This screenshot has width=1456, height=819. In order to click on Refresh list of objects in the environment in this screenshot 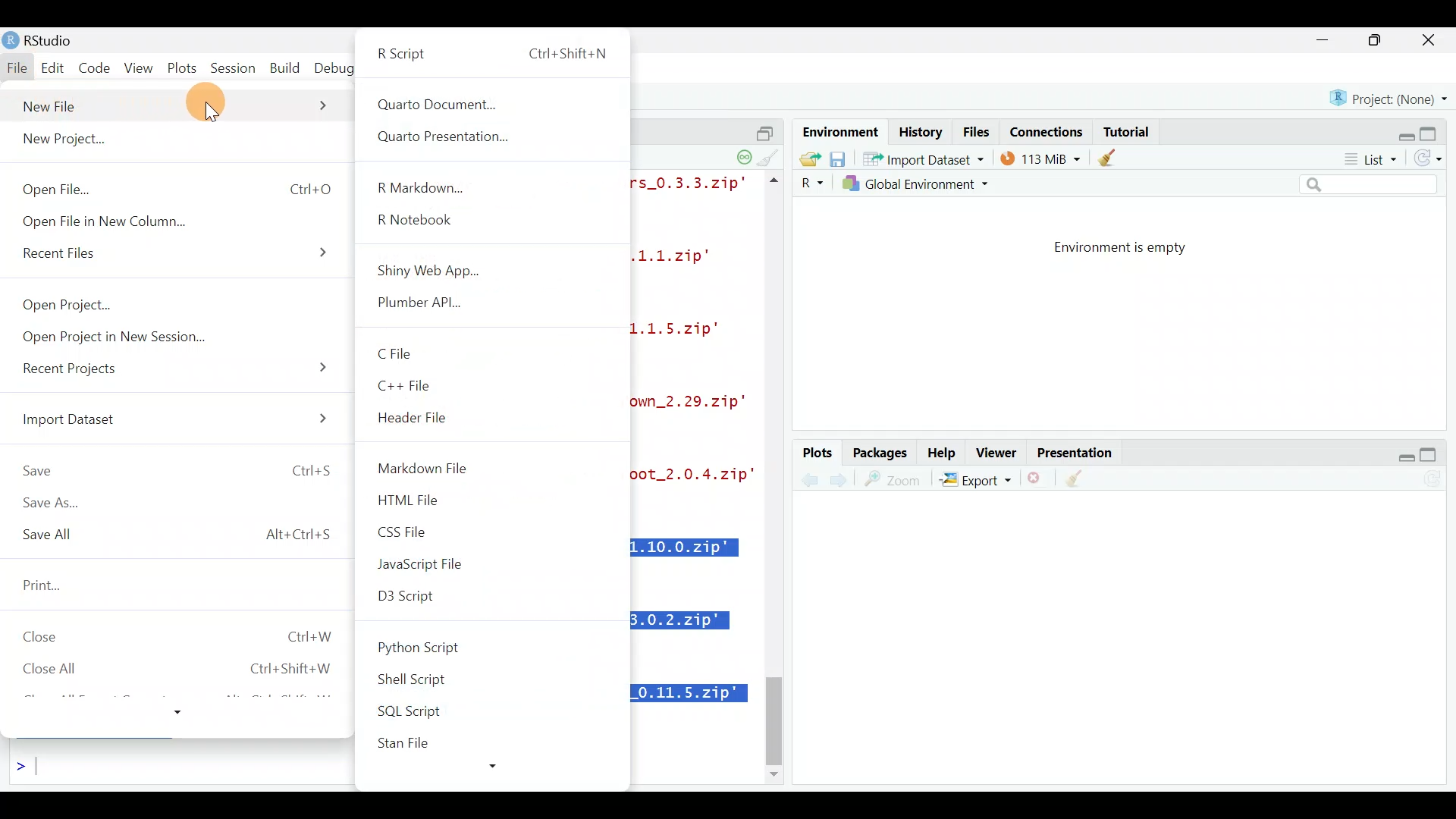, I will do `click(1433, 160)`.